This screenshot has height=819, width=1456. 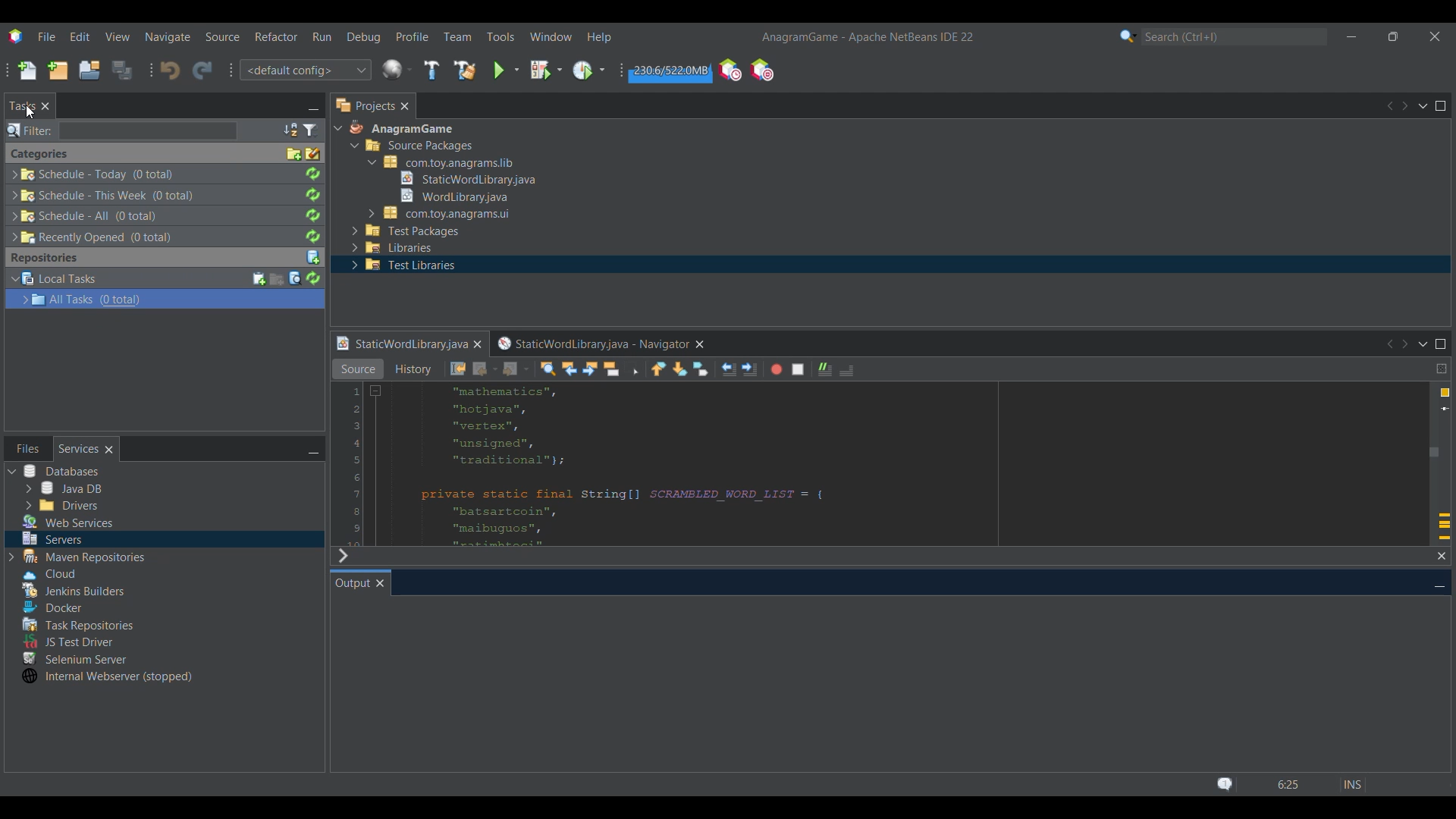 I want to click on Other tab, so click(x=28, y=448).